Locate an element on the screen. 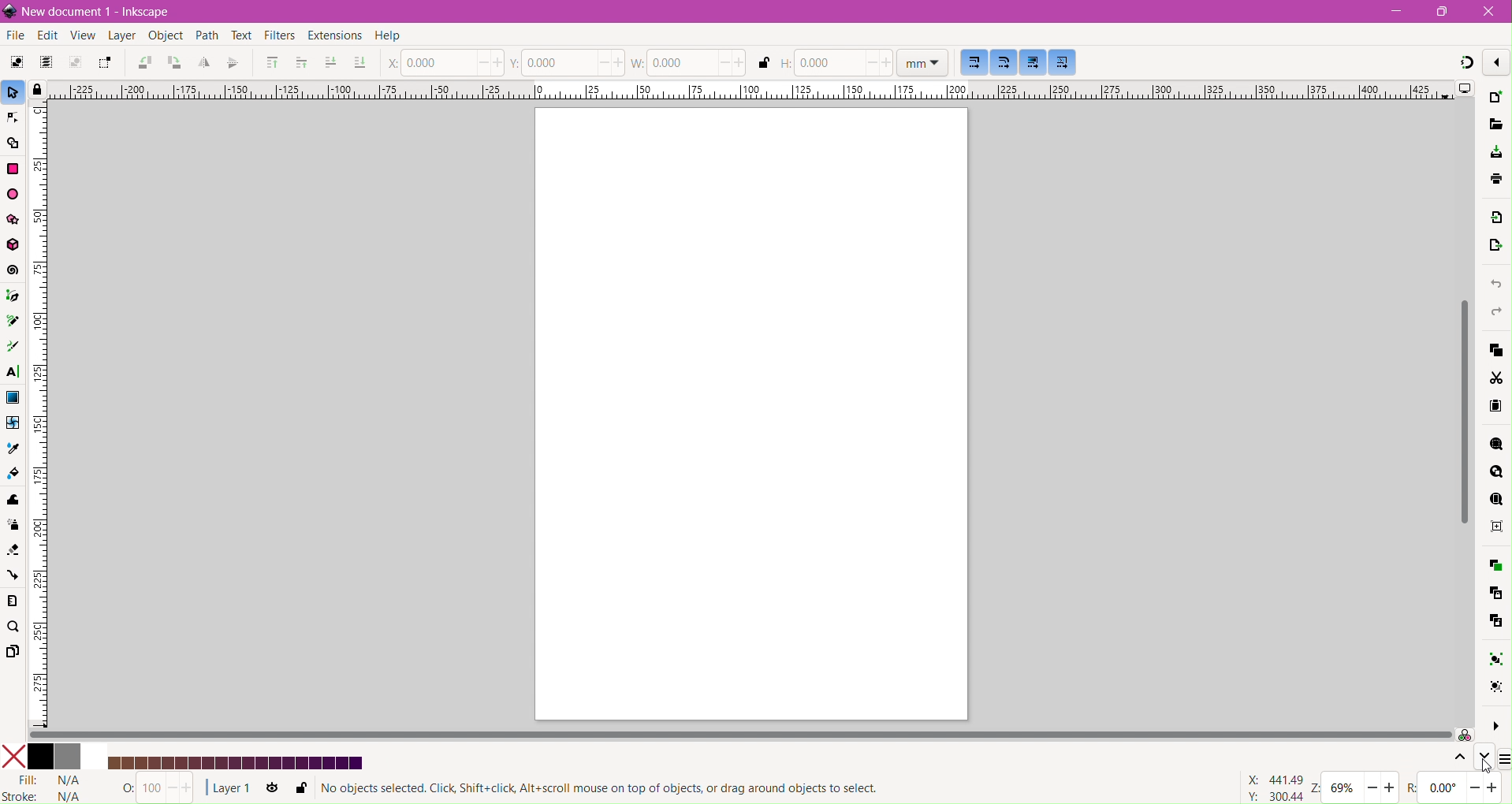  Toggle current layer visibility is located at coordinates (273, 791).